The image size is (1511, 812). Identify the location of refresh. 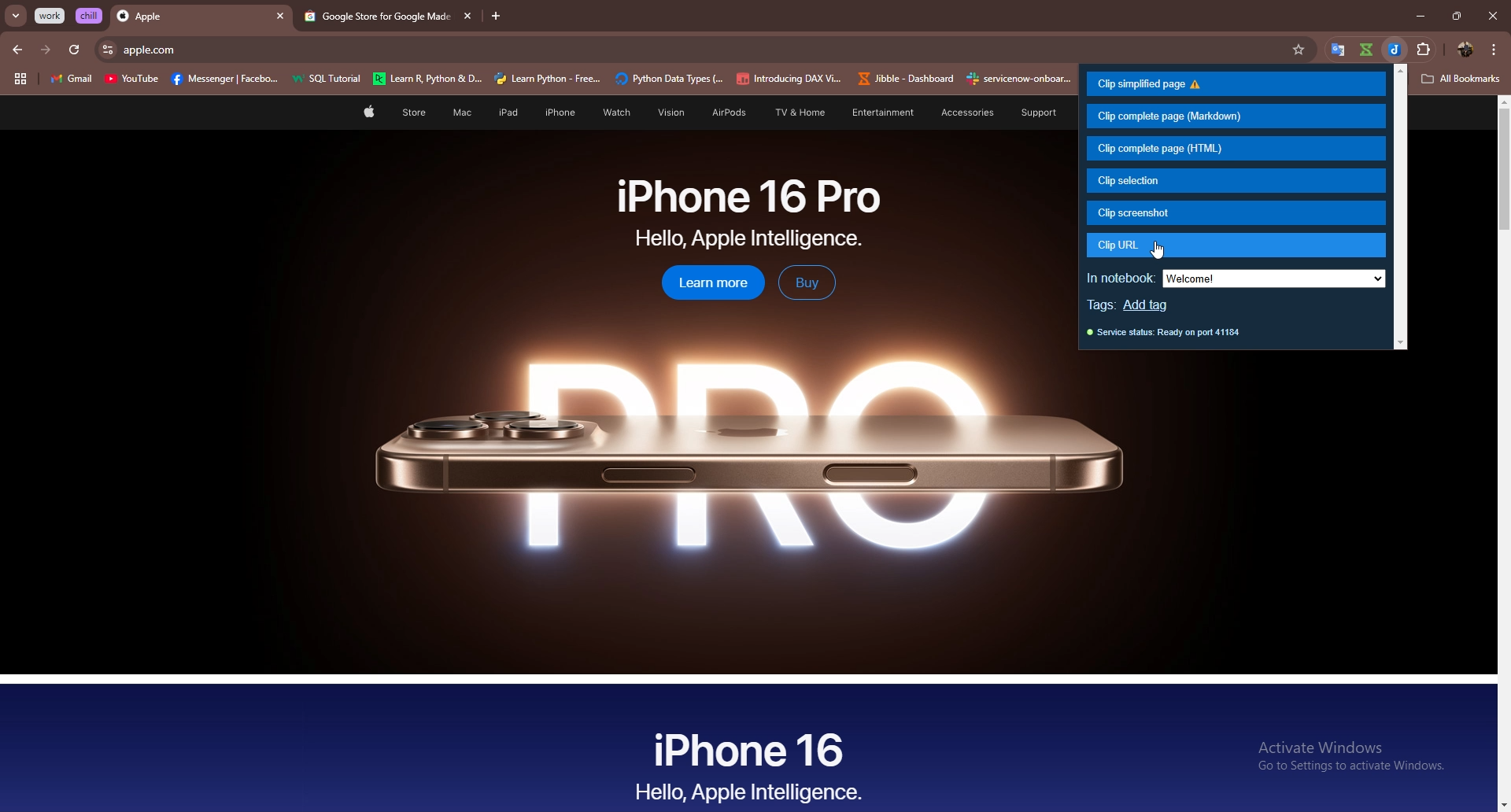
(74, 50).